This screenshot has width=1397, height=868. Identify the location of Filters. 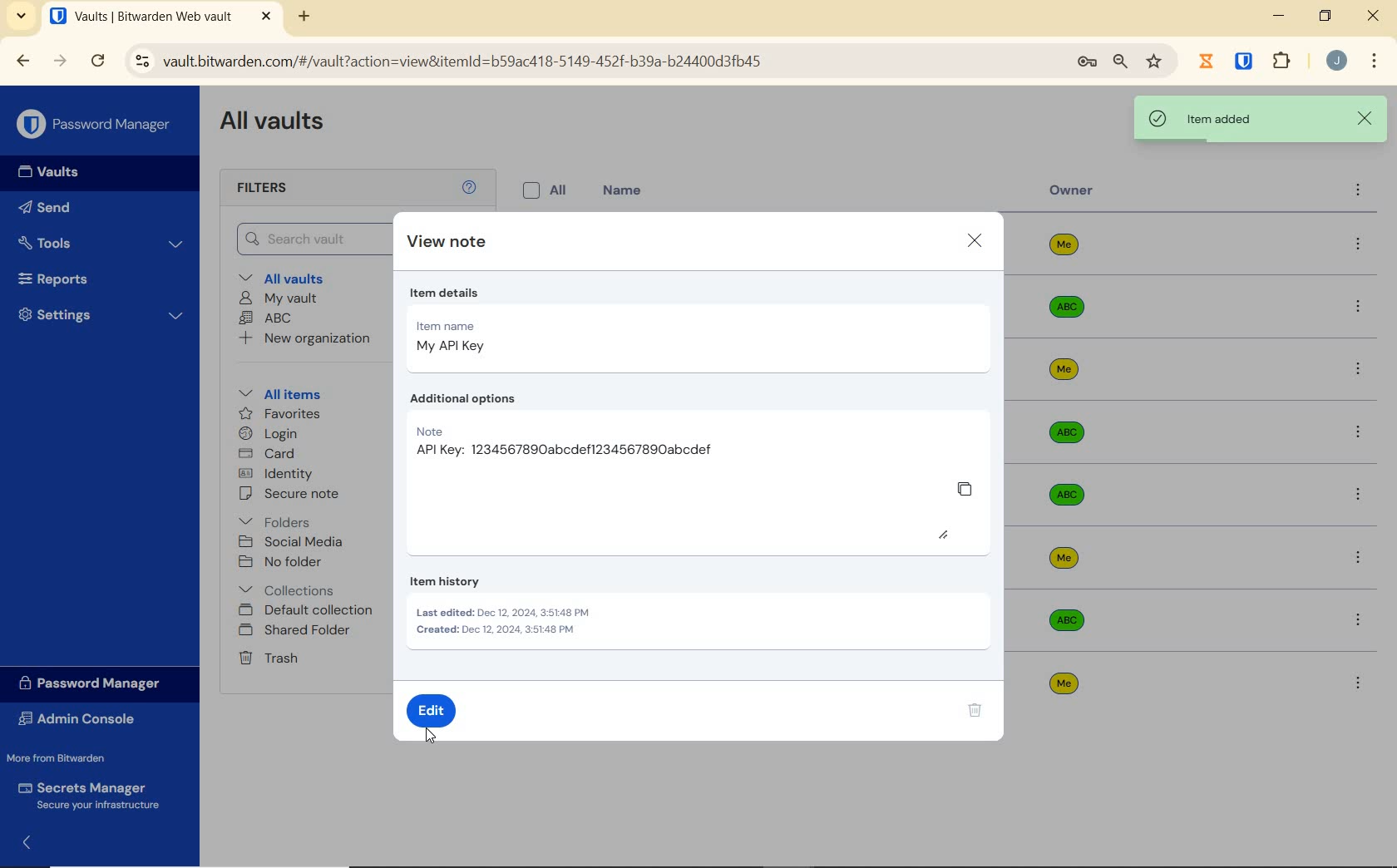
(265, 189).